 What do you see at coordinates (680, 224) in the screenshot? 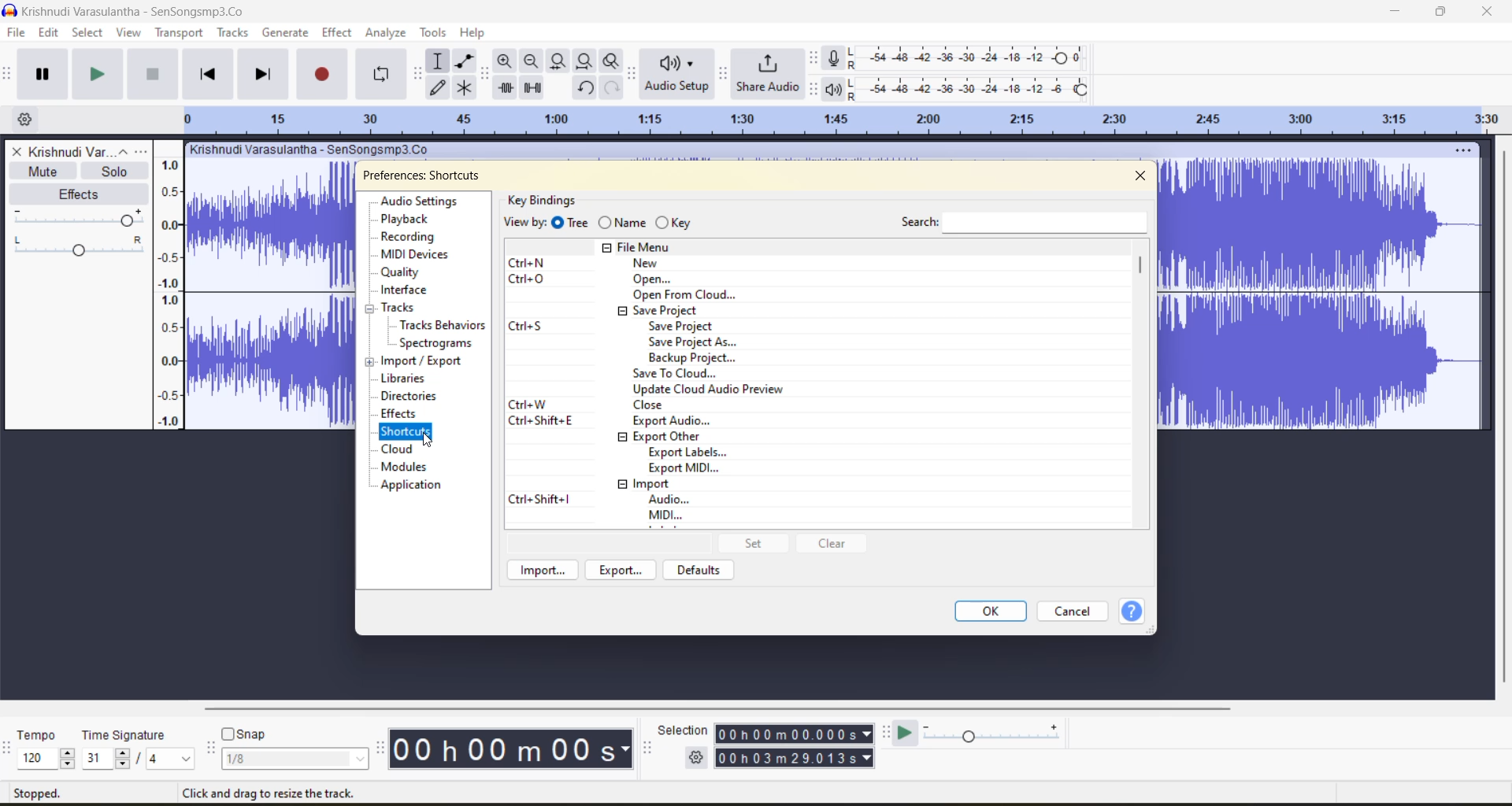
I see `key` at bounding box center [680, 224].